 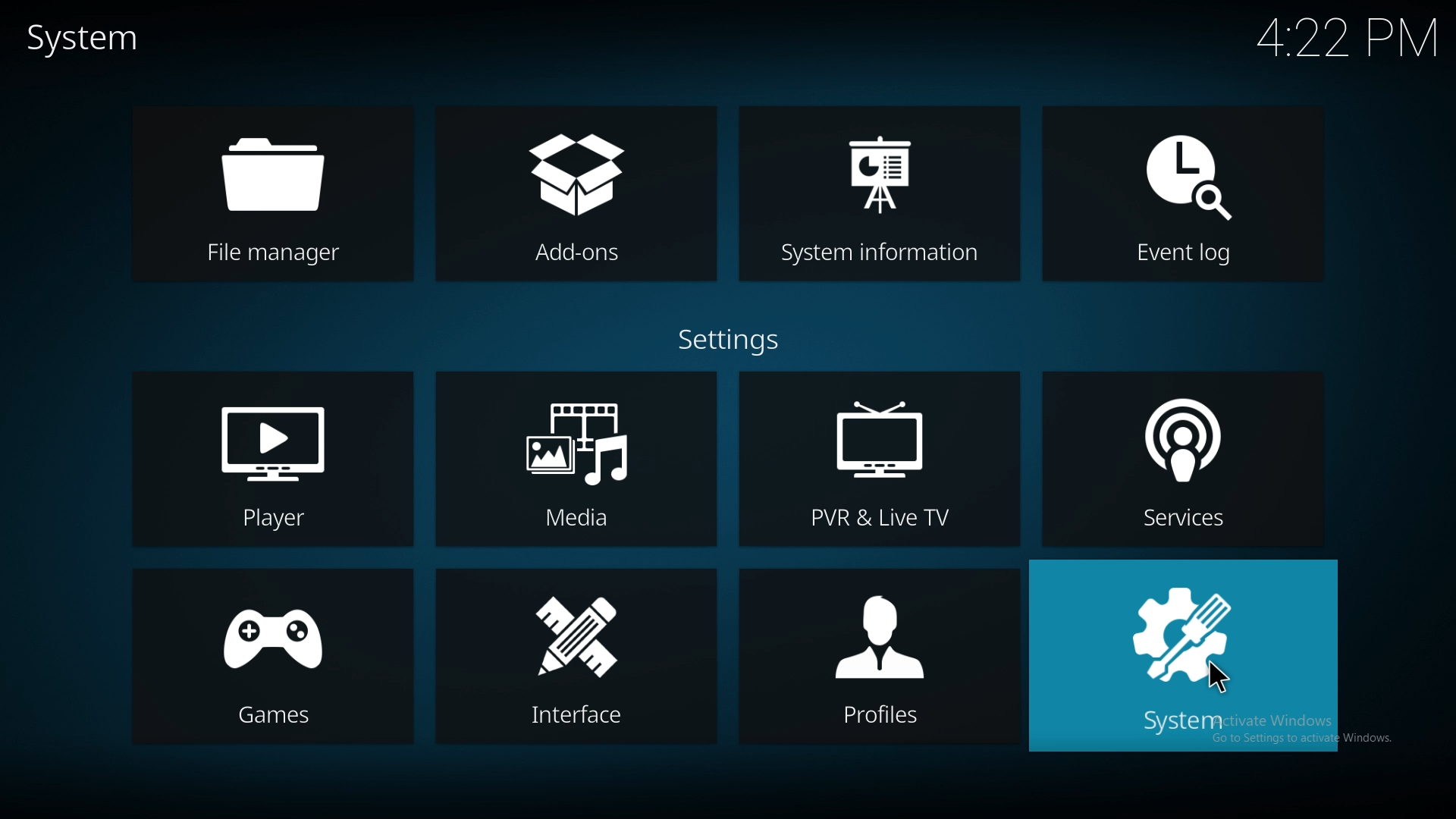 What do you see at coordinates (1222, 679) in the screenshot?
I see `cursor` at bounding box center [1222, 679].